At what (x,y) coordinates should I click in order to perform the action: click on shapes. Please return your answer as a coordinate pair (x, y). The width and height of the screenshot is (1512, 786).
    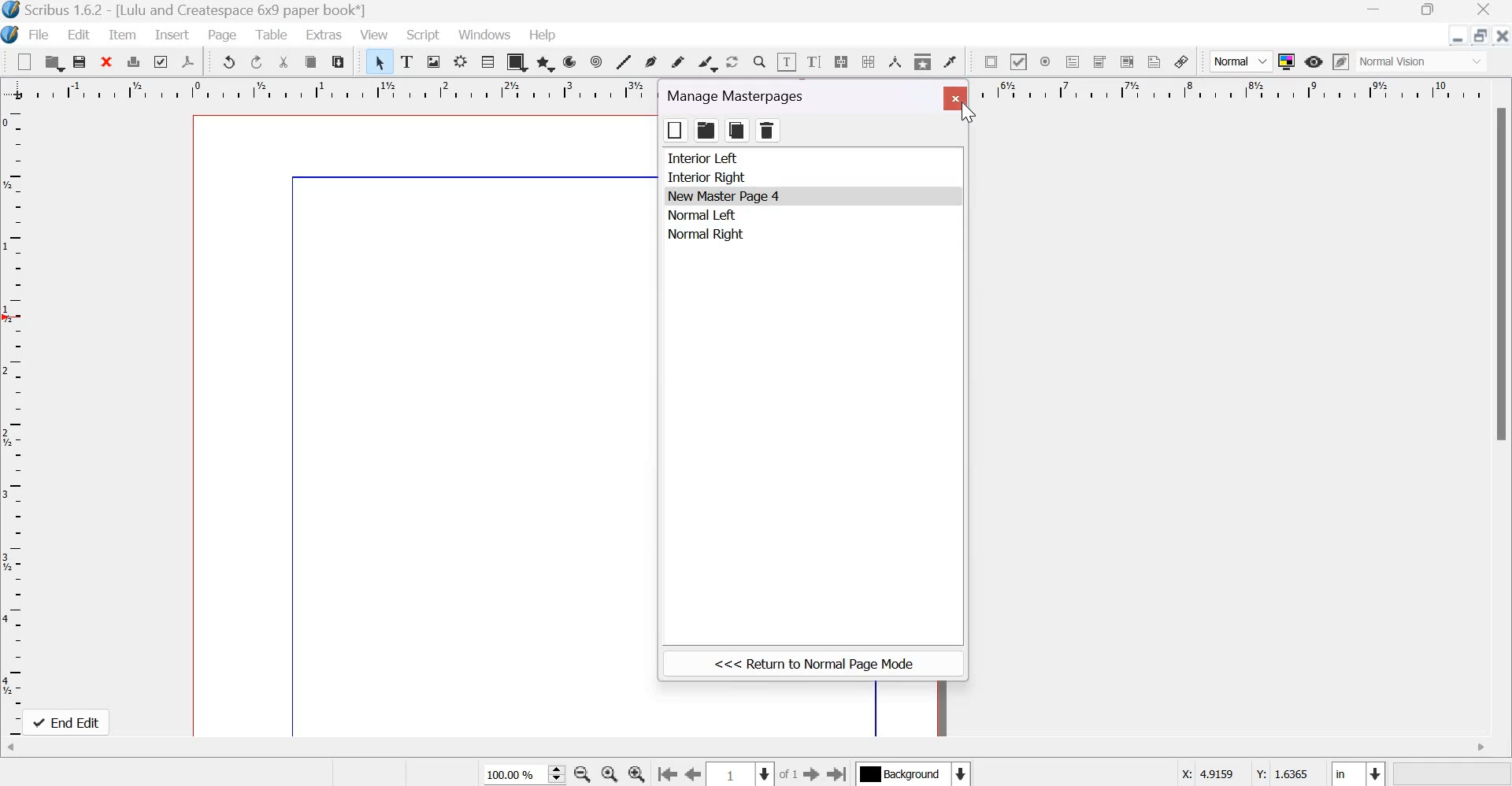
    Looking at the image, I should click on (516, 62).